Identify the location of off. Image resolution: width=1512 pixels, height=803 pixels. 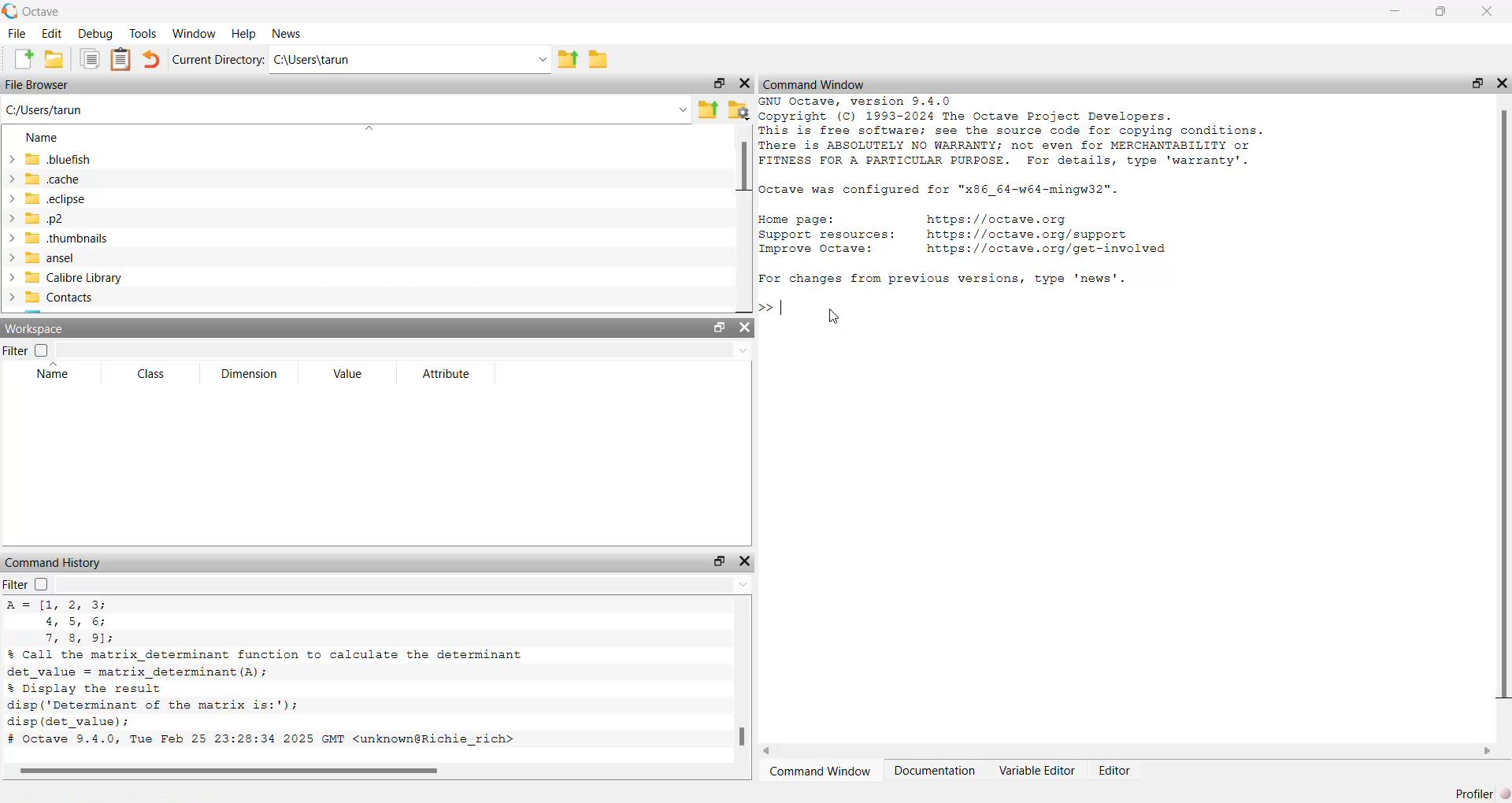
(40, 585).